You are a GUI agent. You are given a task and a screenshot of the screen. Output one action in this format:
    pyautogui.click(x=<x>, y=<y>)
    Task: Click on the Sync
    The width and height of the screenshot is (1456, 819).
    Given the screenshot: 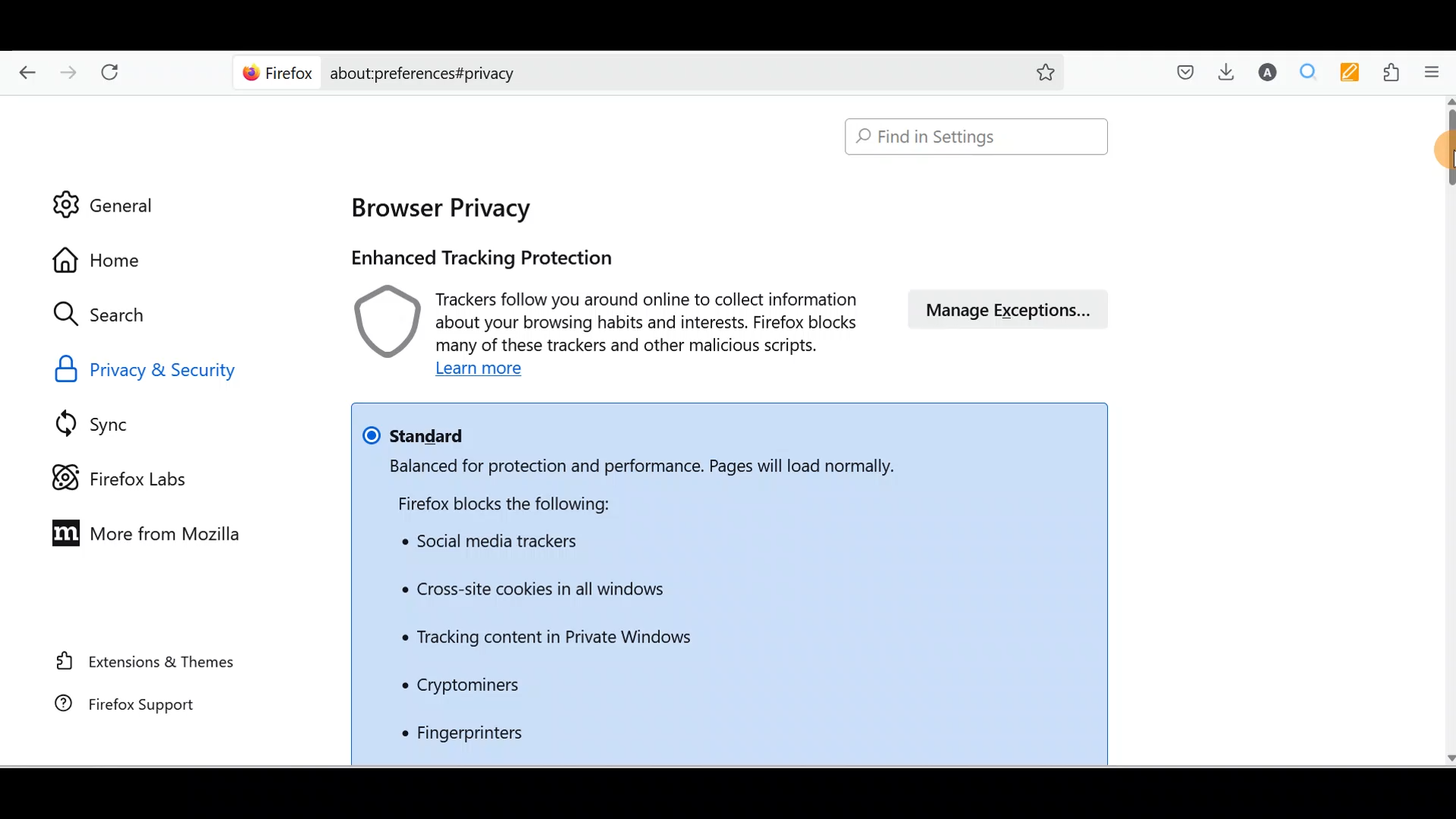 What is the action you would take?
    pyautogui.click(x=112, y=422)
    